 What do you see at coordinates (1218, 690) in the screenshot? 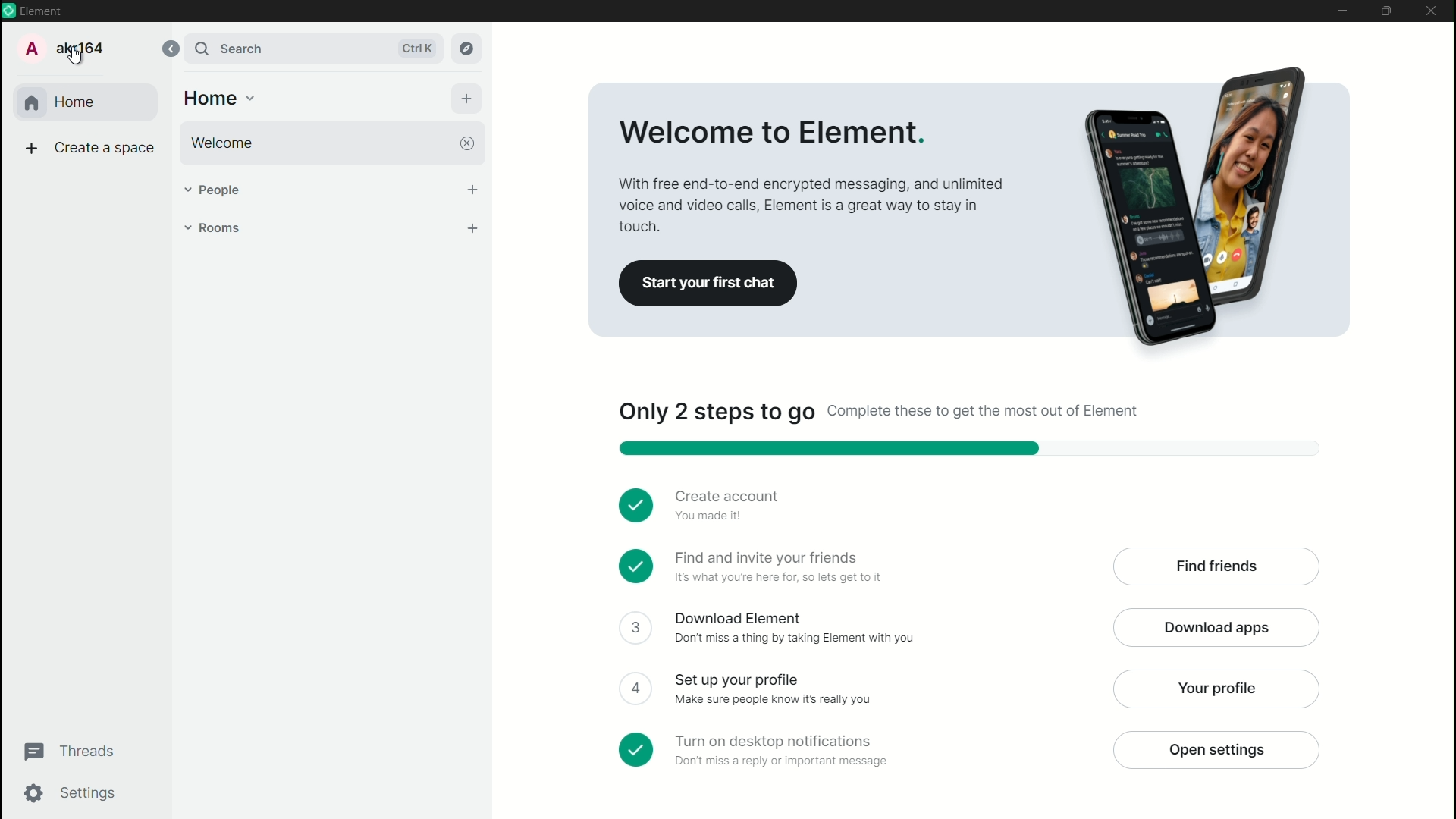
I see `your profile` at bounding box center [1218, 690].